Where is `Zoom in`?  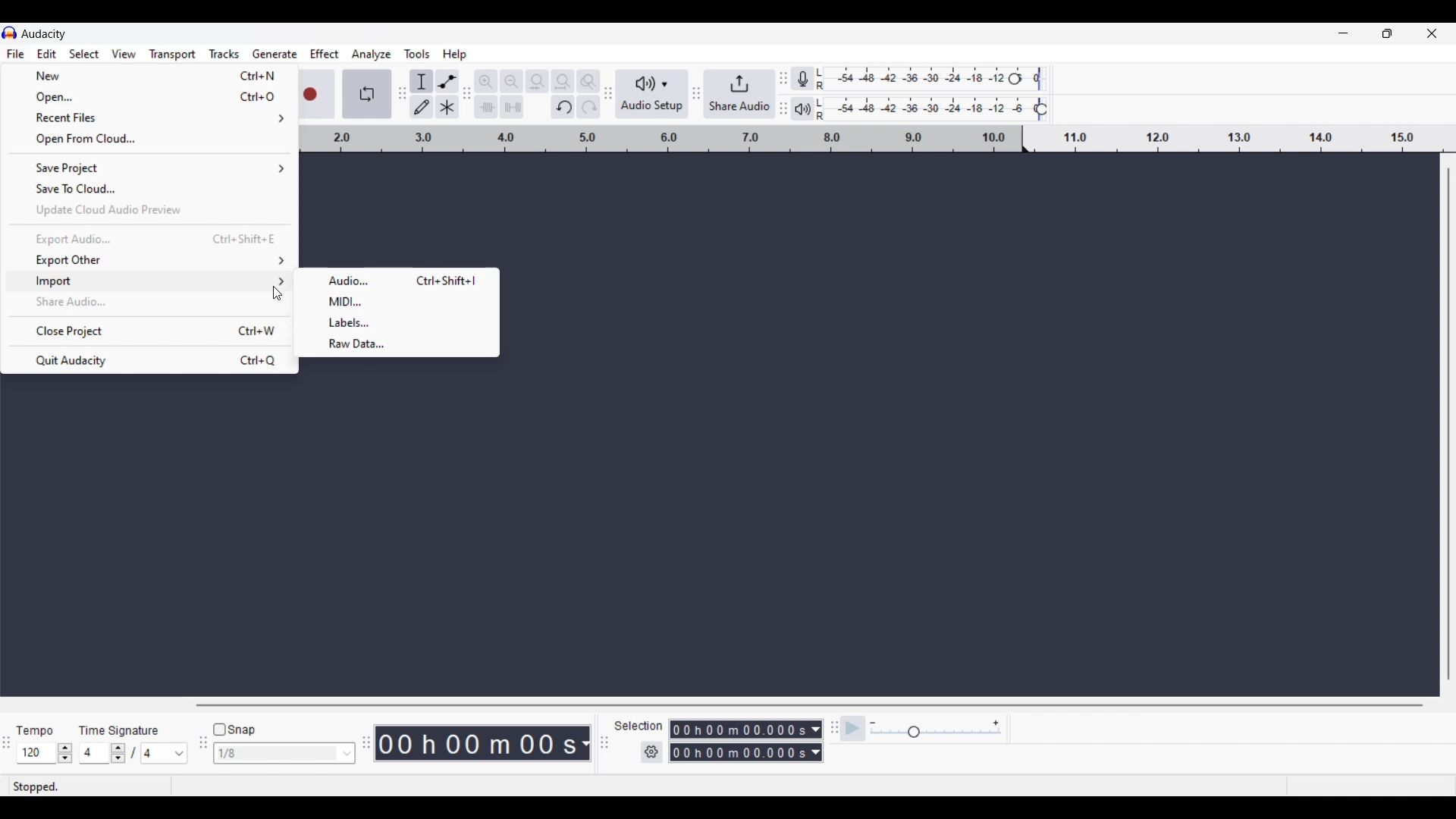
Zoom in is located at coordinates (488, 81).